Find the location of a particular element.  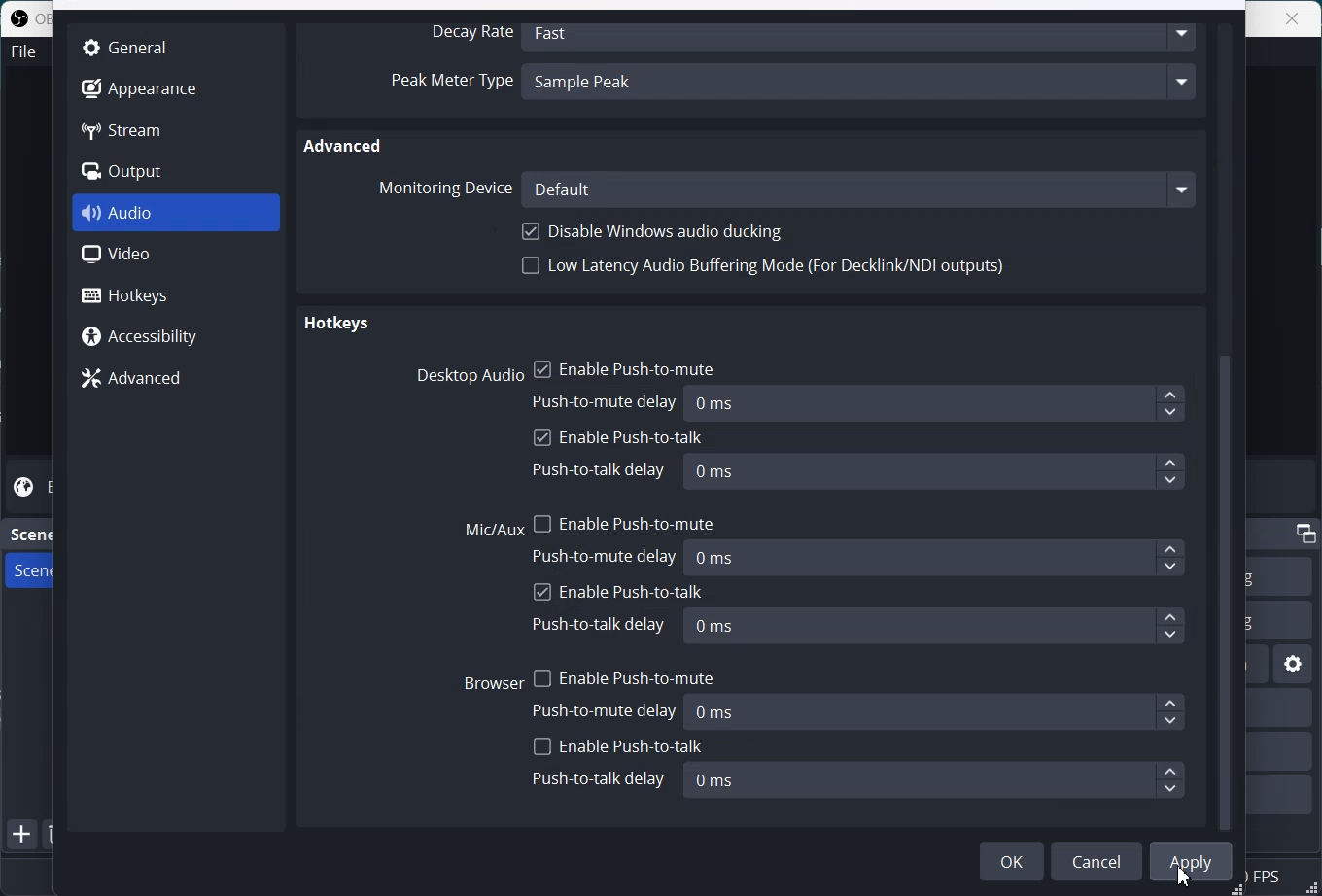

Fast is located at coordinates (862, 34).